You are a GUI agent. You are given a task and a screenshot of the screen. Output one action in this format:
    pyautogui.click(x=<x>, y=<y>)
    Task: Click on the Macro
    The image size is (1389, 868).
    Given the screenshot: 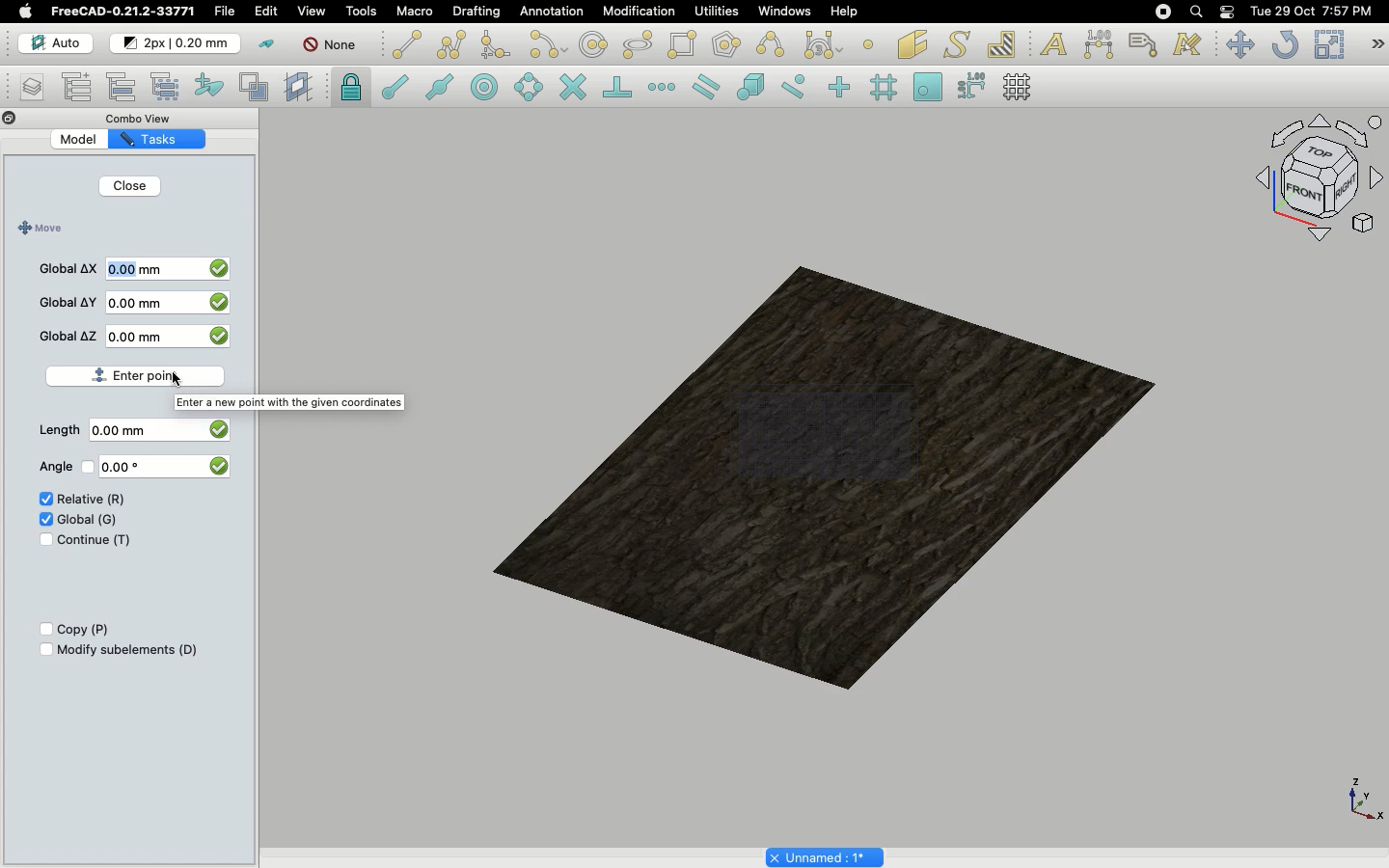 What is the action you would take?
    pyautogui.click(x=416, y=12)
    